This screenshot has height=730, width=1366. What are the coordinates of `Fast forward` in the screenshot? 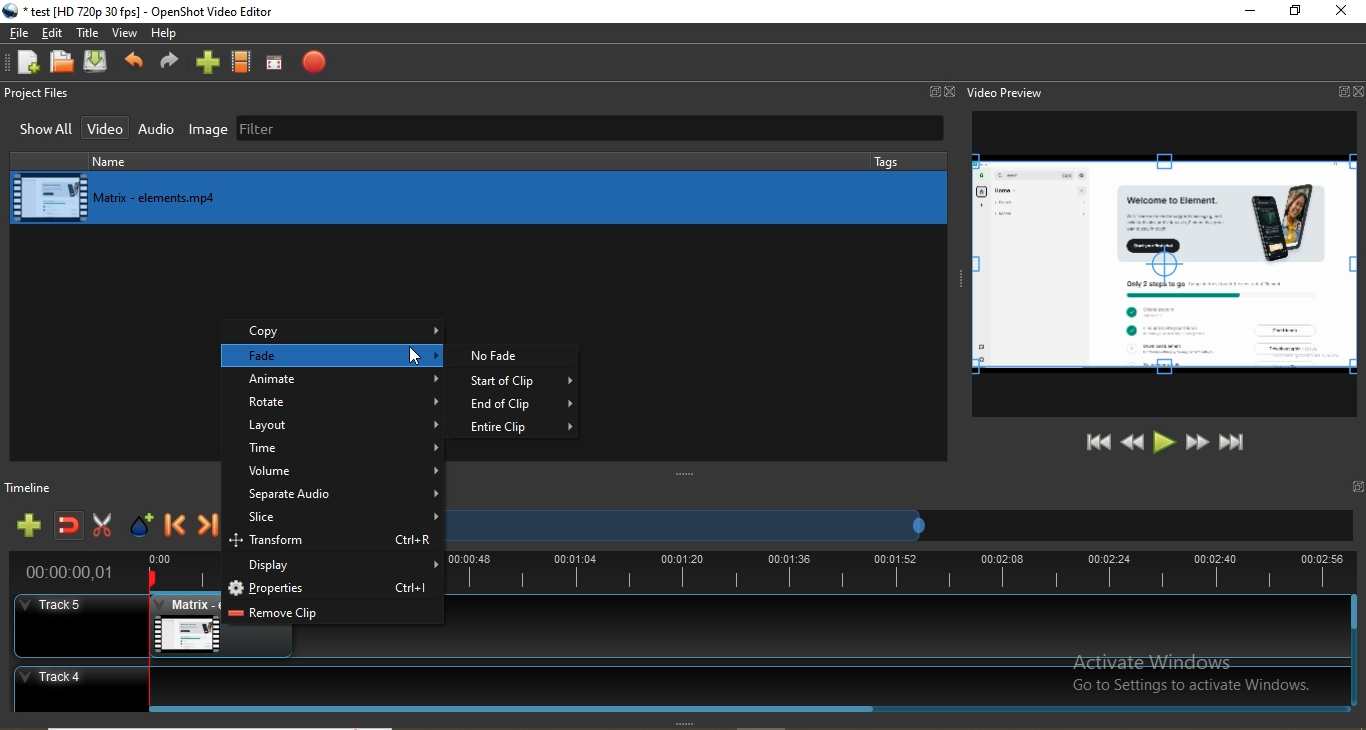 It's located at (1198, 443).